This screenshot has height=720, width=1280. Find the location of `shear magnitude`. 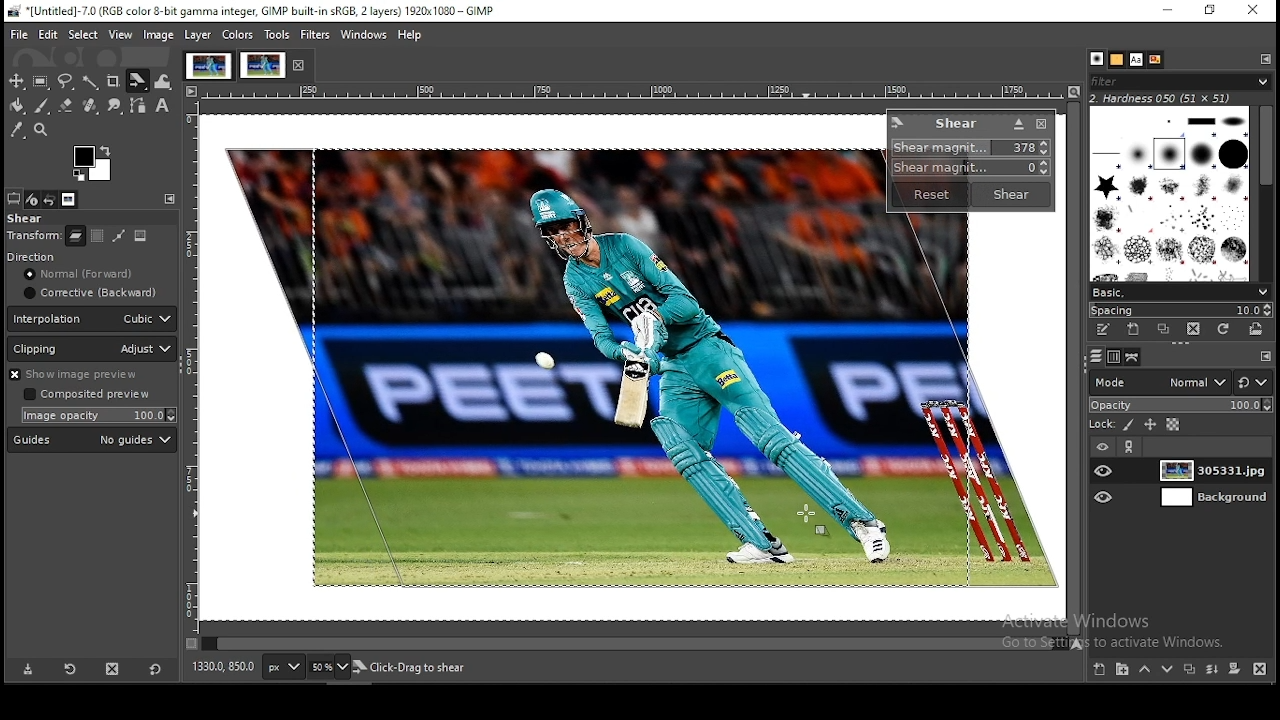

shear magnitude is located at coordinates (967, 169).